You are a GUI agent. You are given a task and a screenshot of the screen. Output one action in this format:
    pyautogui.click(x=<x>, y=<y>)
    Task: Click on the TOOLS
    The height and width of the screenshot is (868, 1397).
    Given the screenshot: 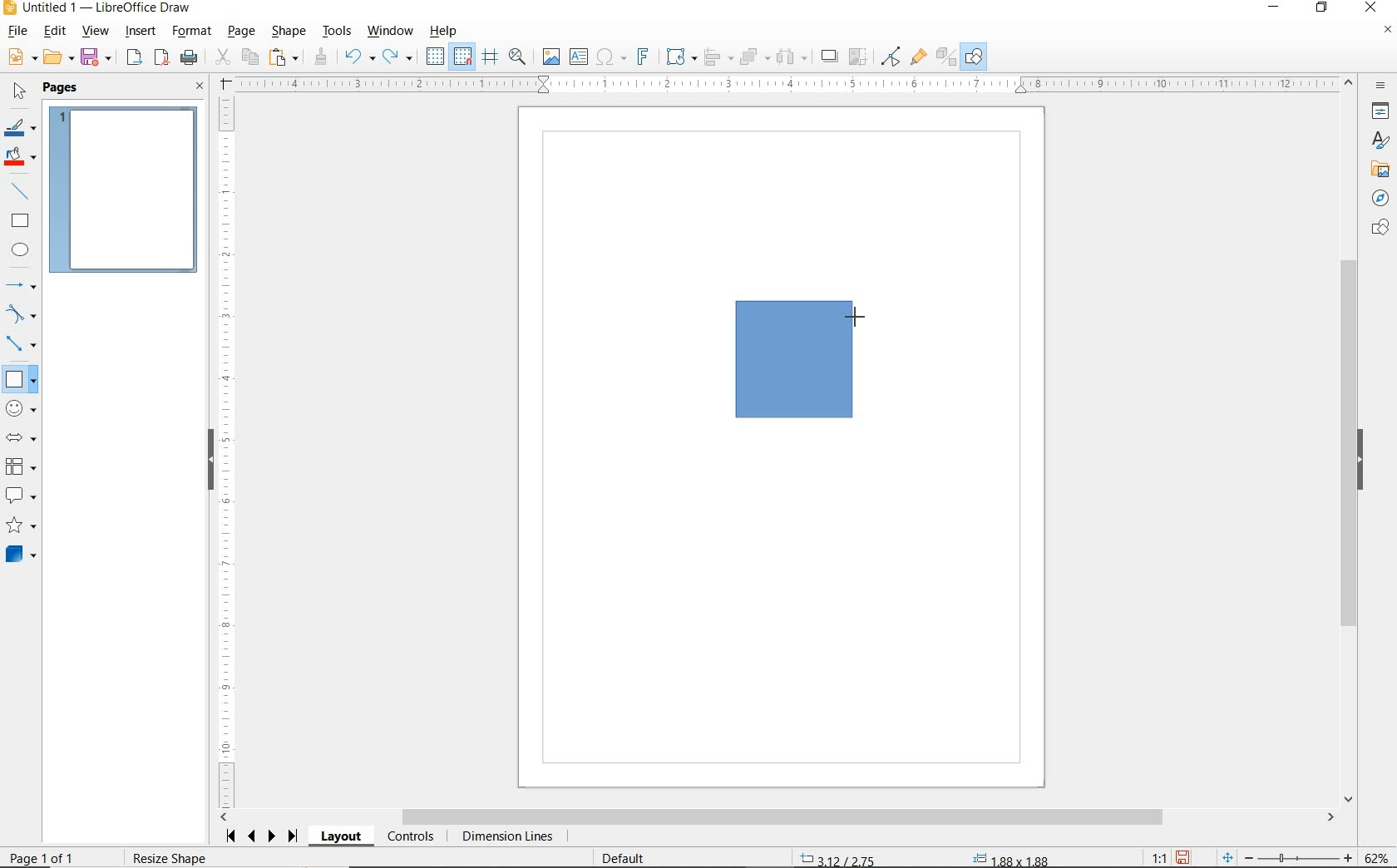 What is the action you would take?
    pyautogui.click(x=338, y=32)
    